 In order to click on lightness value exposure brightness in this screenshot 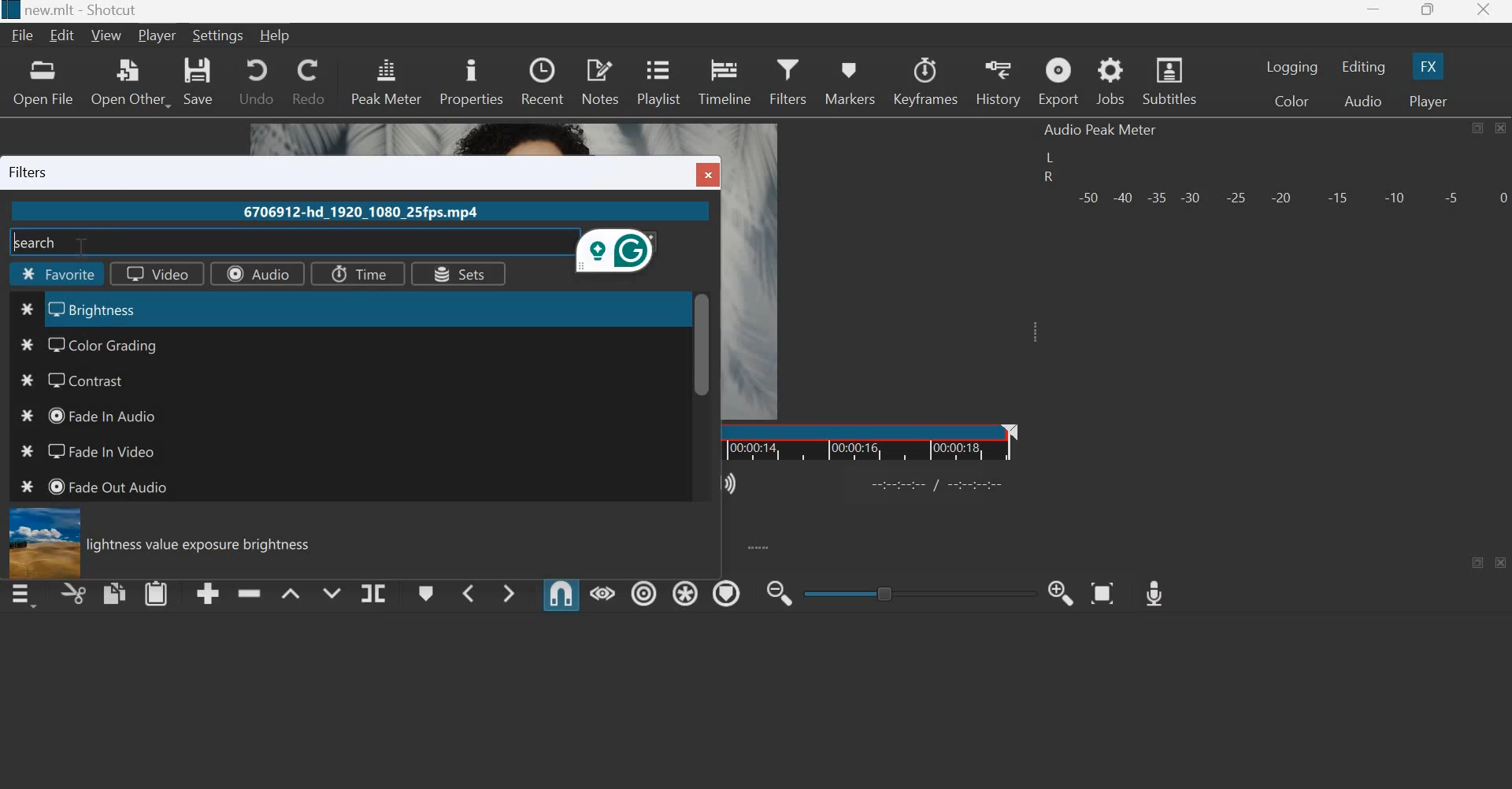, I will do `click(206, 546)`.